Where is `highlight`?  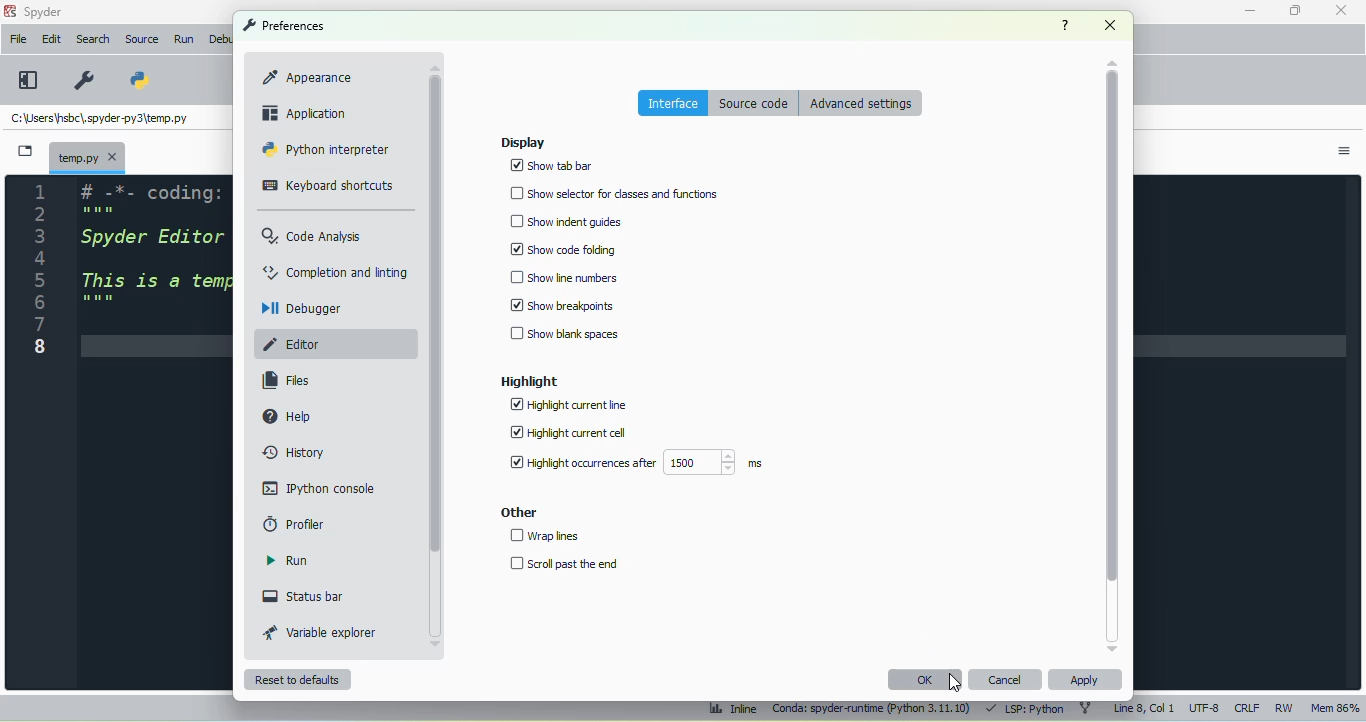
highlight is located at coordinates (529, 381).